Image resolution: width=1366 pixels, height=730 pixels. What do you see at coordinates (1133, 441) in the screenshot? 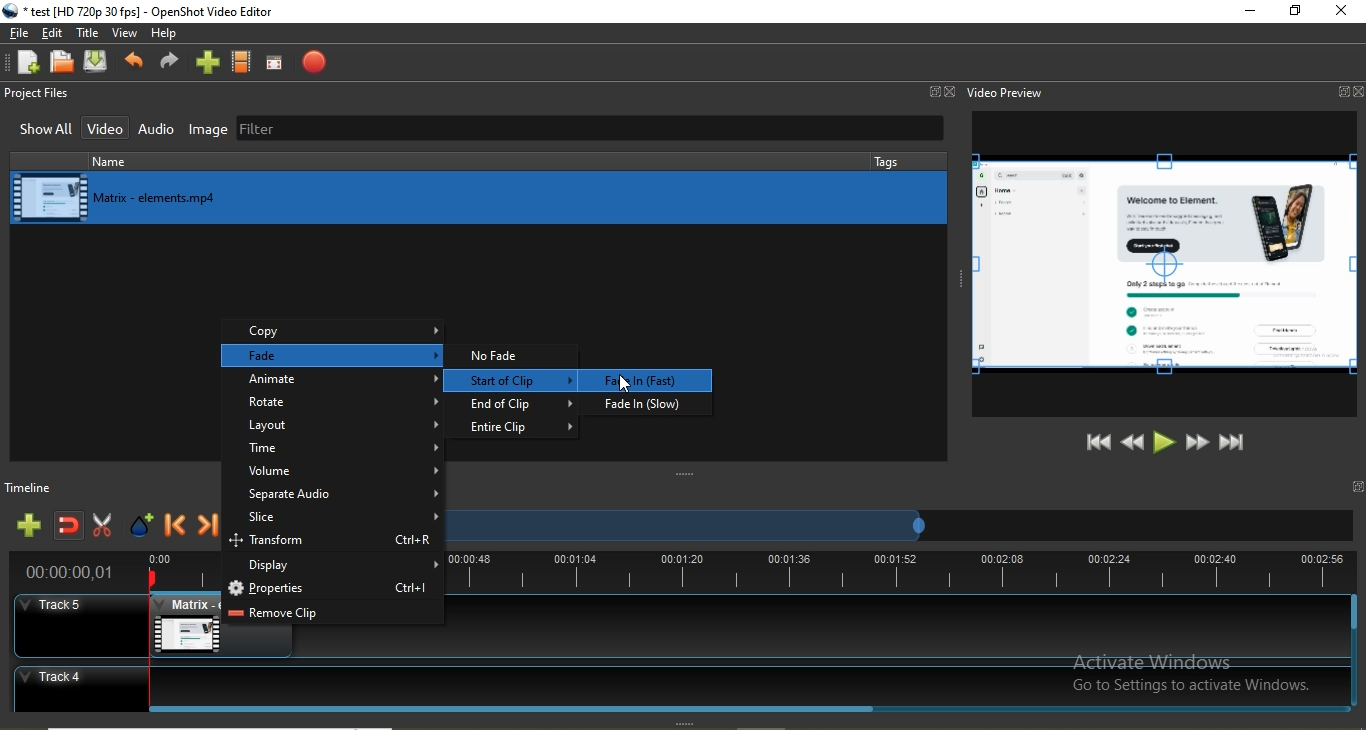
I see `Rewind ` at bounding box center [1133, 441].